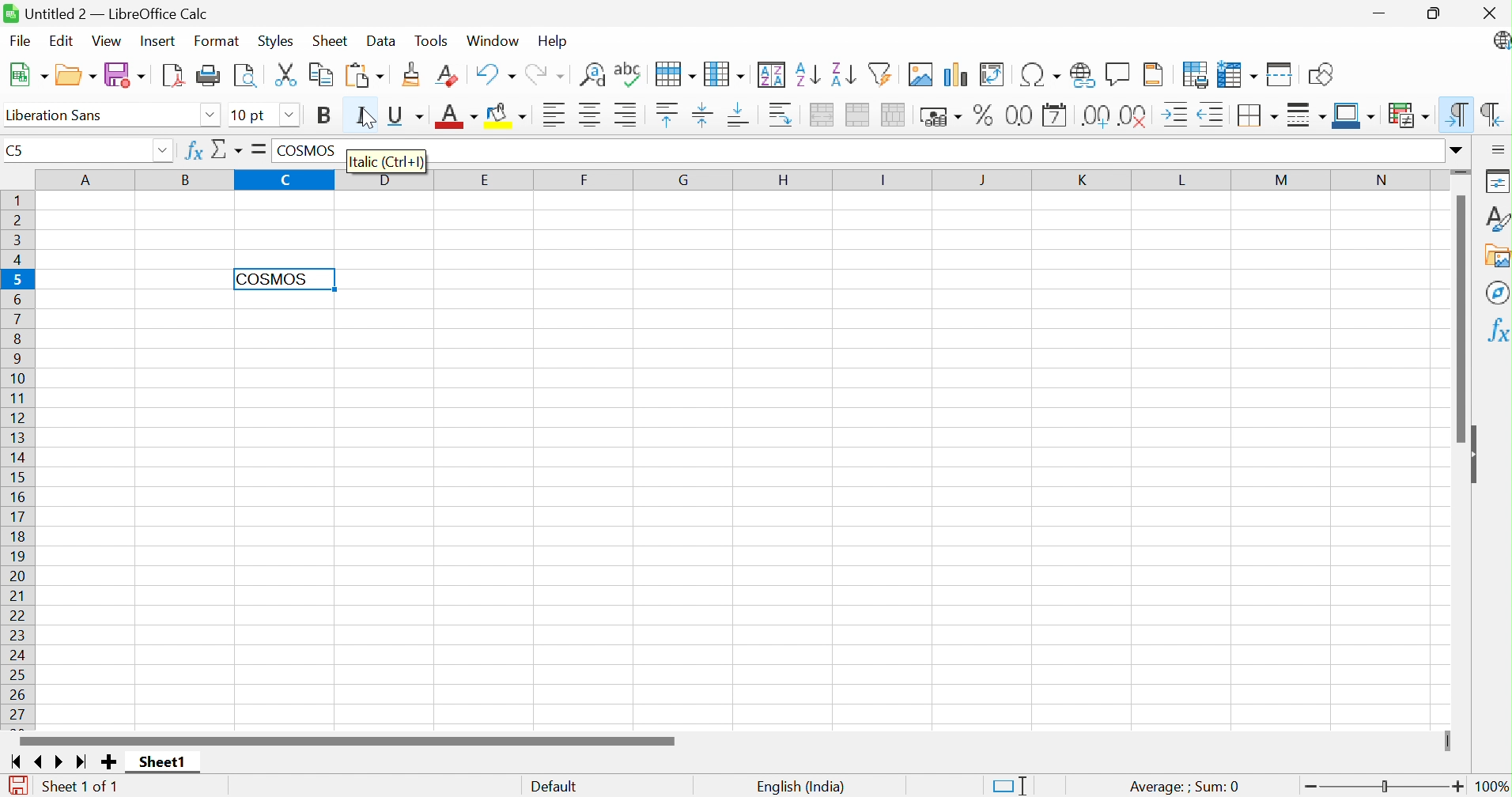  Describe the element at coordinates (1196, 75) in the screenshot. I see `Define print area` at that location.